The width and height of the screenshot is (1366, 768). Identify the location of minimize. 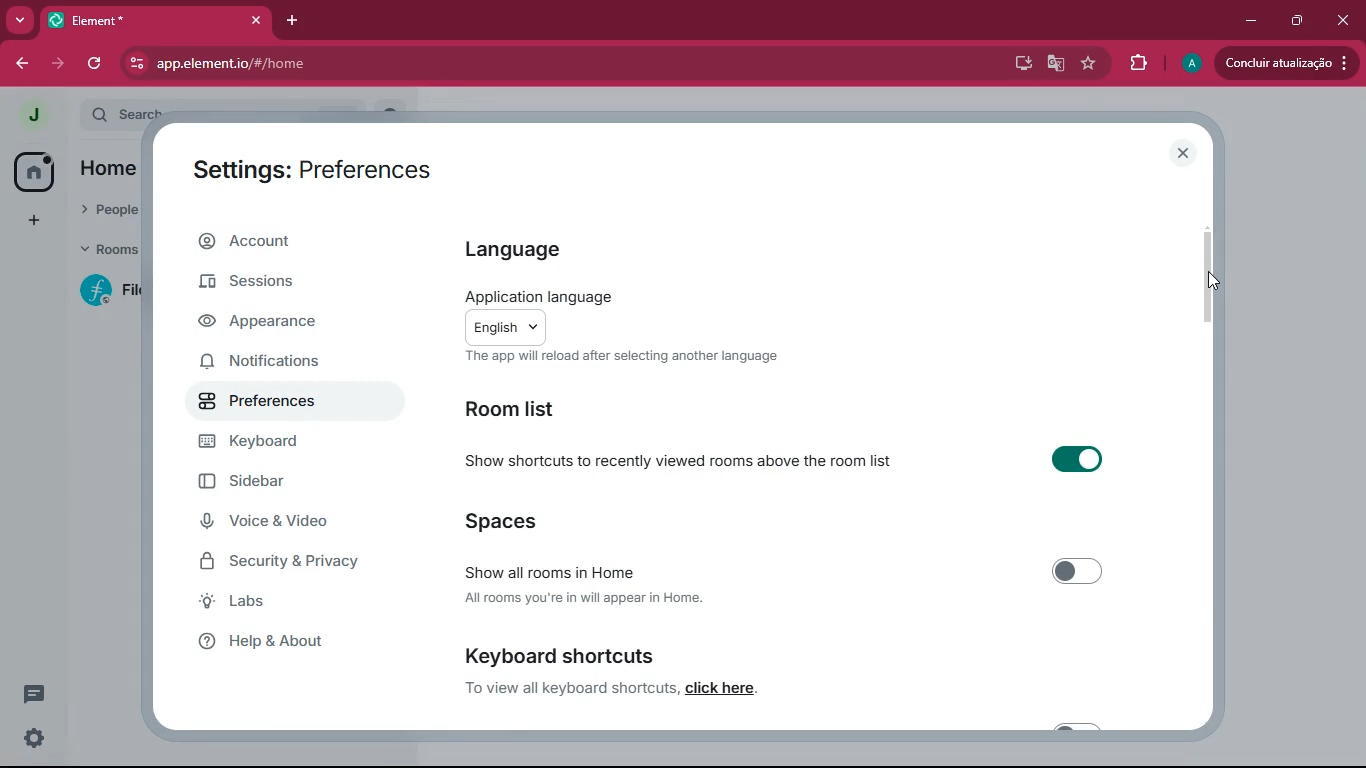
(1250, 21).